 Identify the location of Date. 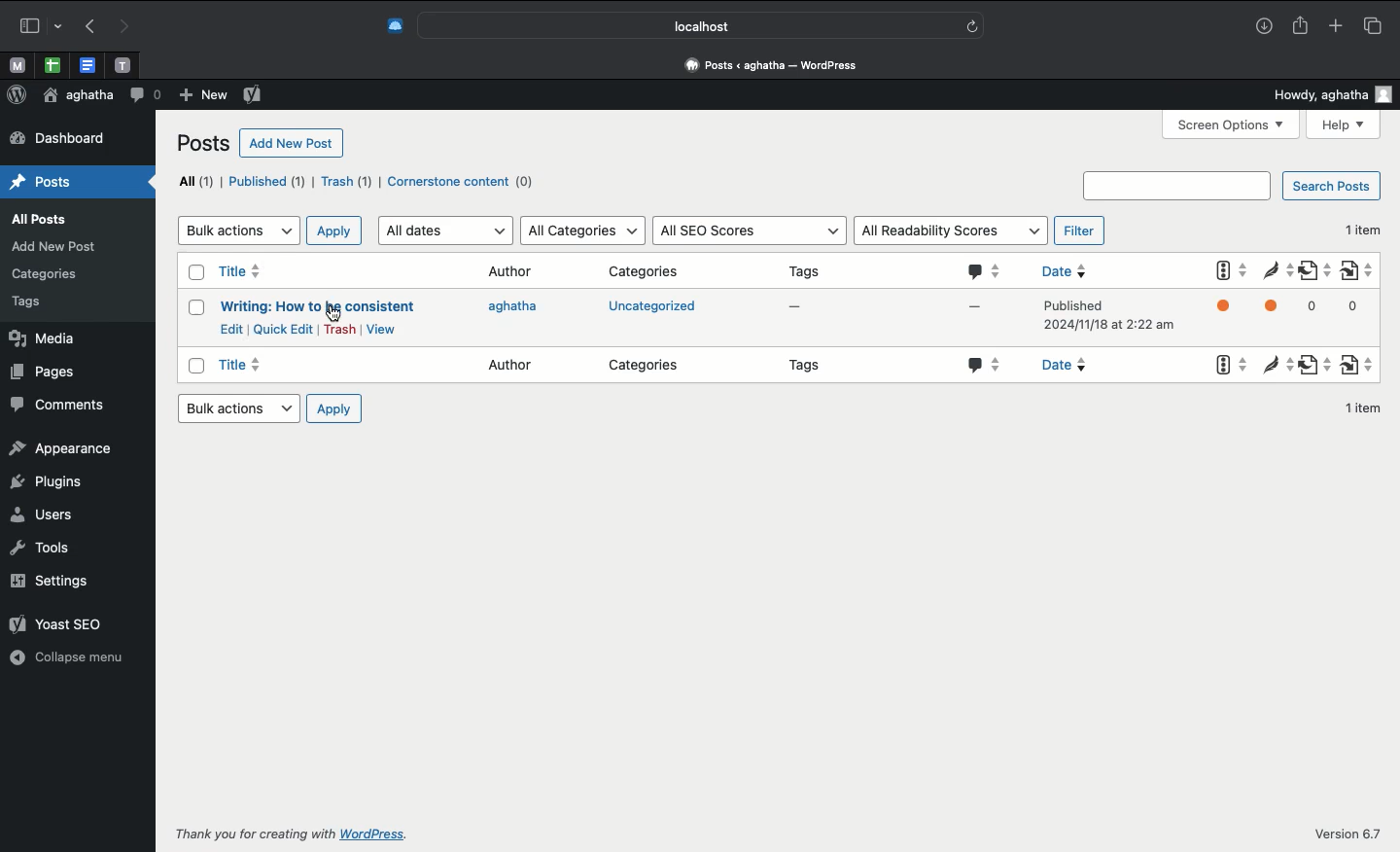
(1064, 364).